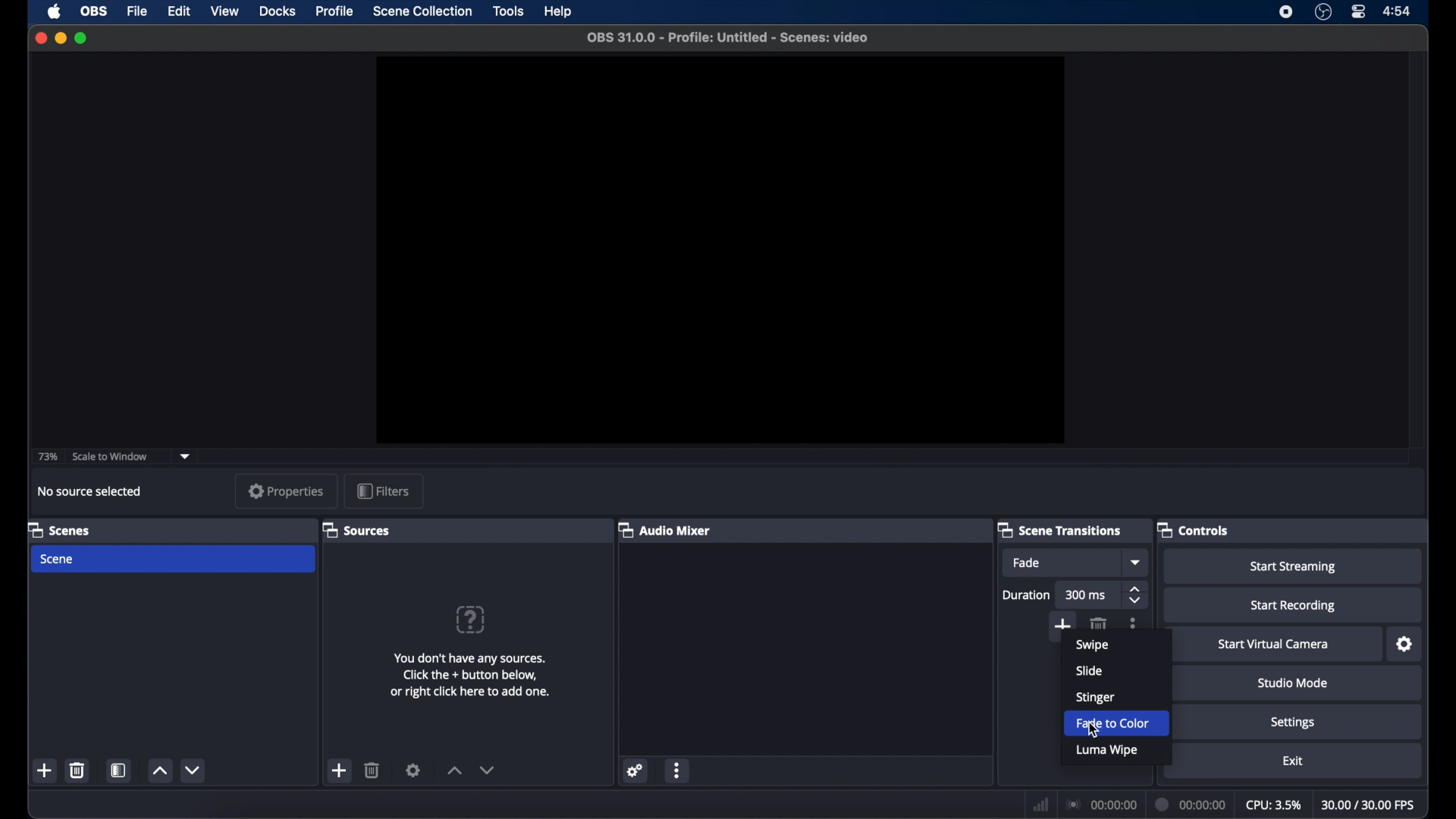 This screenshot has height=819, width=1456. I want to click on properties, so click(286, 491).